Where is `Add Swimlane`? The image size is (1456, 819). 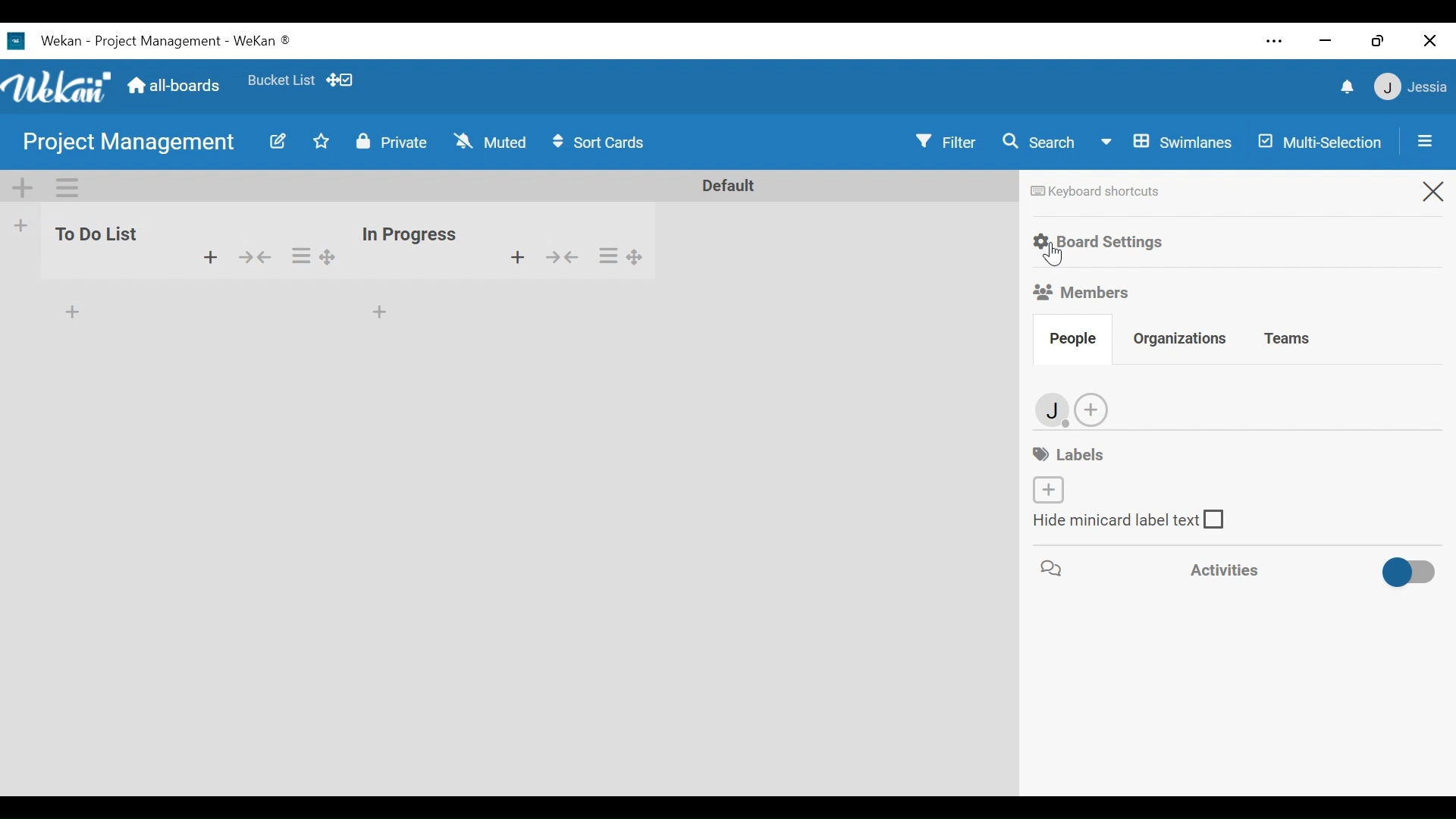
Add Swimlane is located at coordinates (24, 188).